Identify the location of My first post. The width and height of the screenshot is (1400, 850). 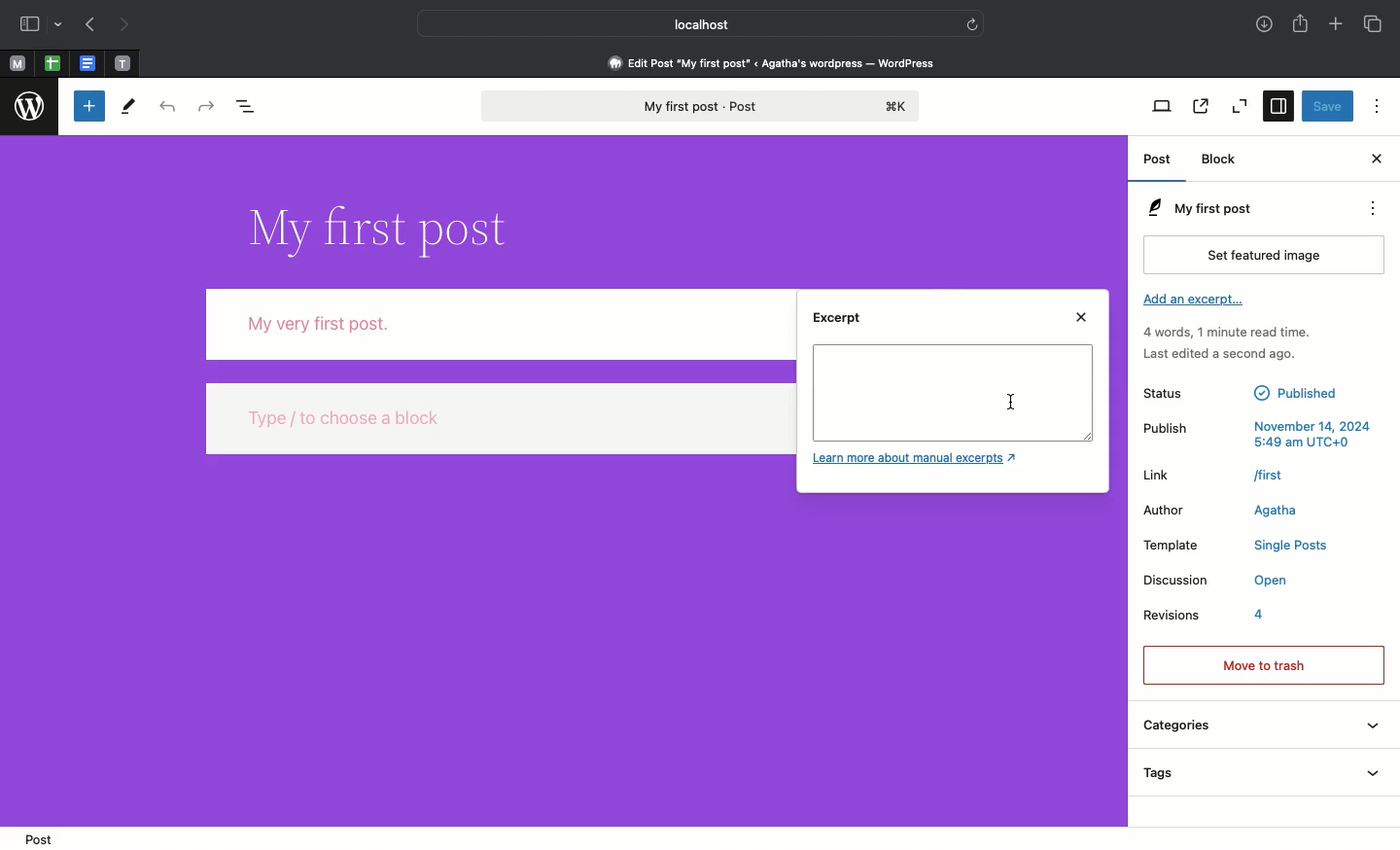
(697, 107).